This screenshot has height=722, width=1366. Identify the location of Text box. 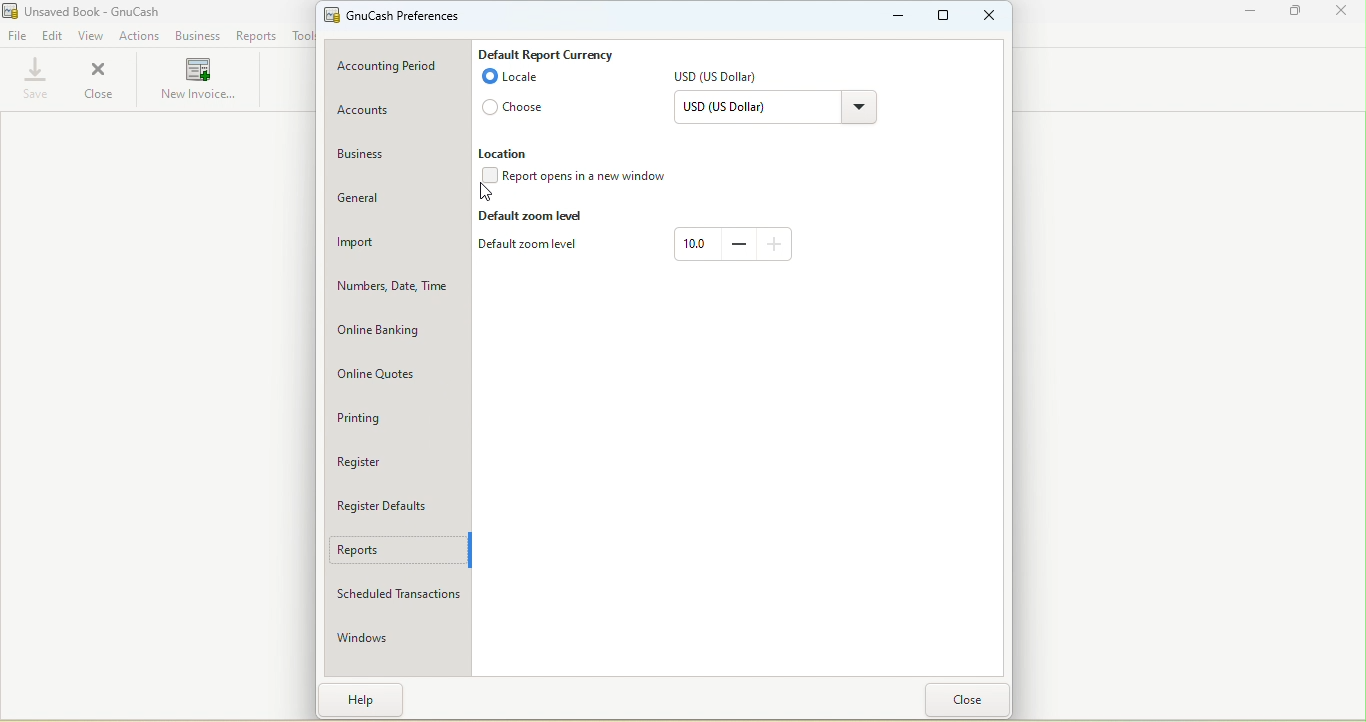
(696, 244).